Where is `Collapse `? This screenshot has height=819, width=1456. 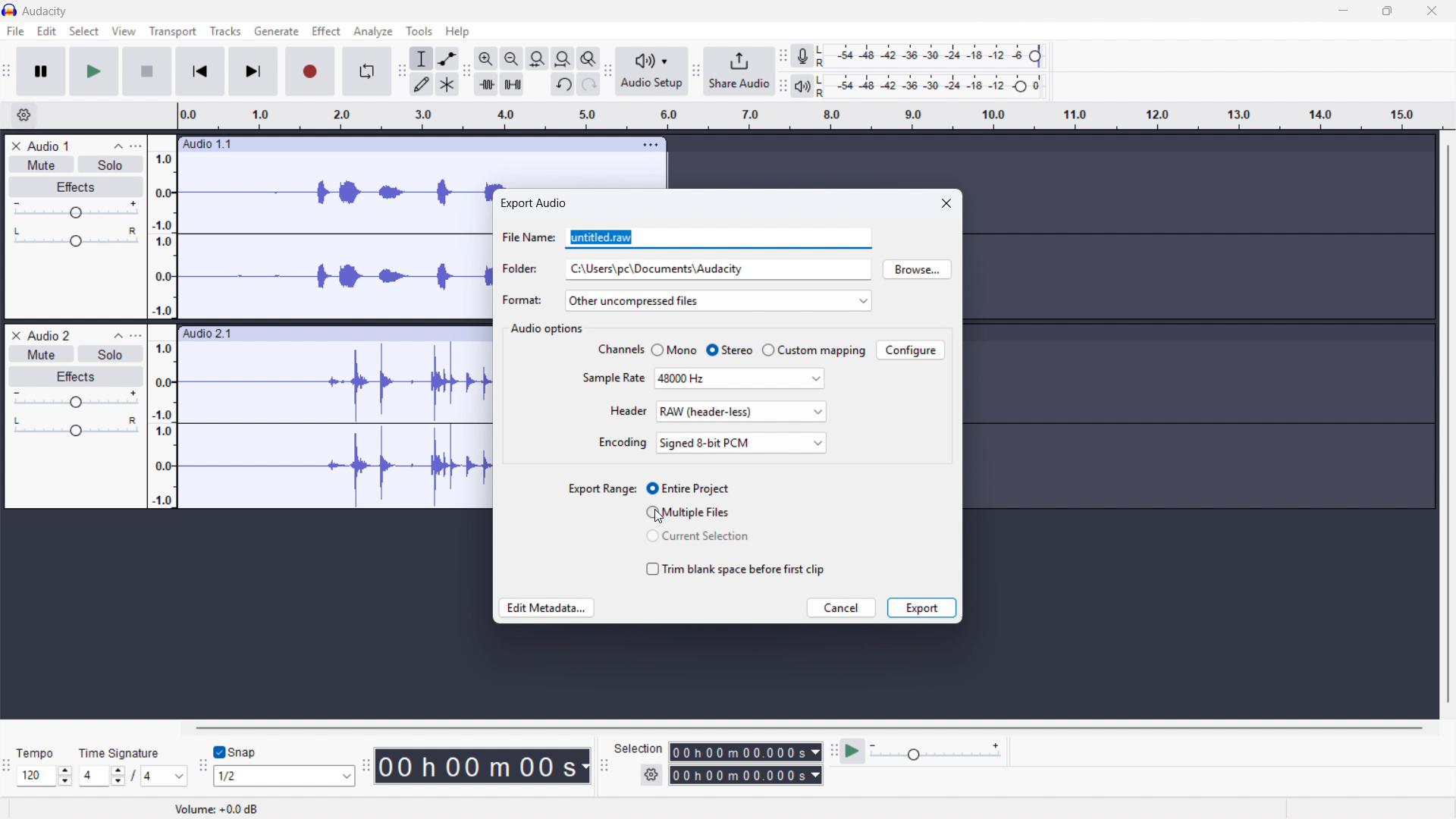 Collapse  is located at coordinates (115, 335).